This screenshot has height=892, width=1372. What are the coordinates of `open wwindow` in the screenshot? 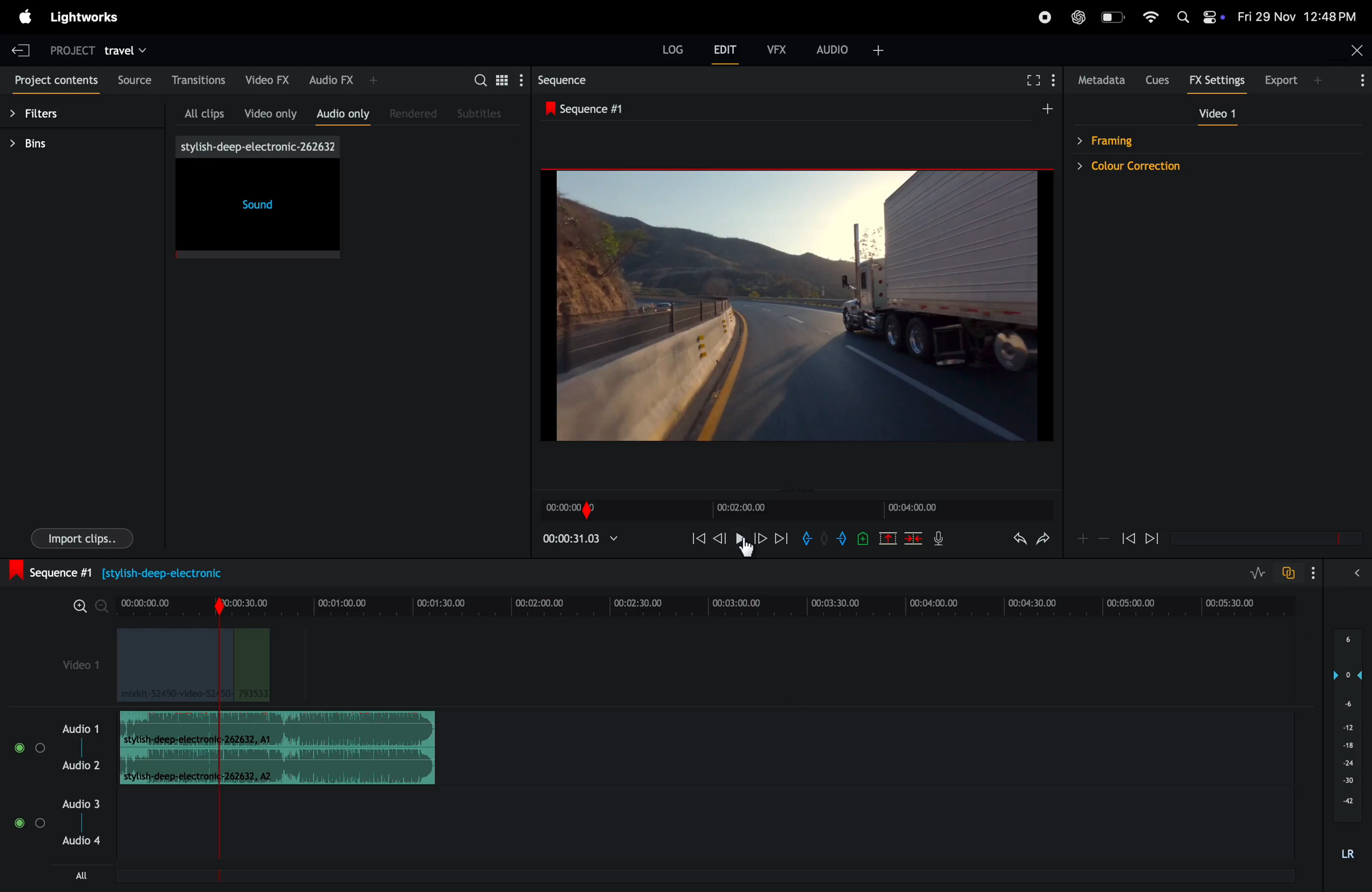 It's located at (1362, 573).